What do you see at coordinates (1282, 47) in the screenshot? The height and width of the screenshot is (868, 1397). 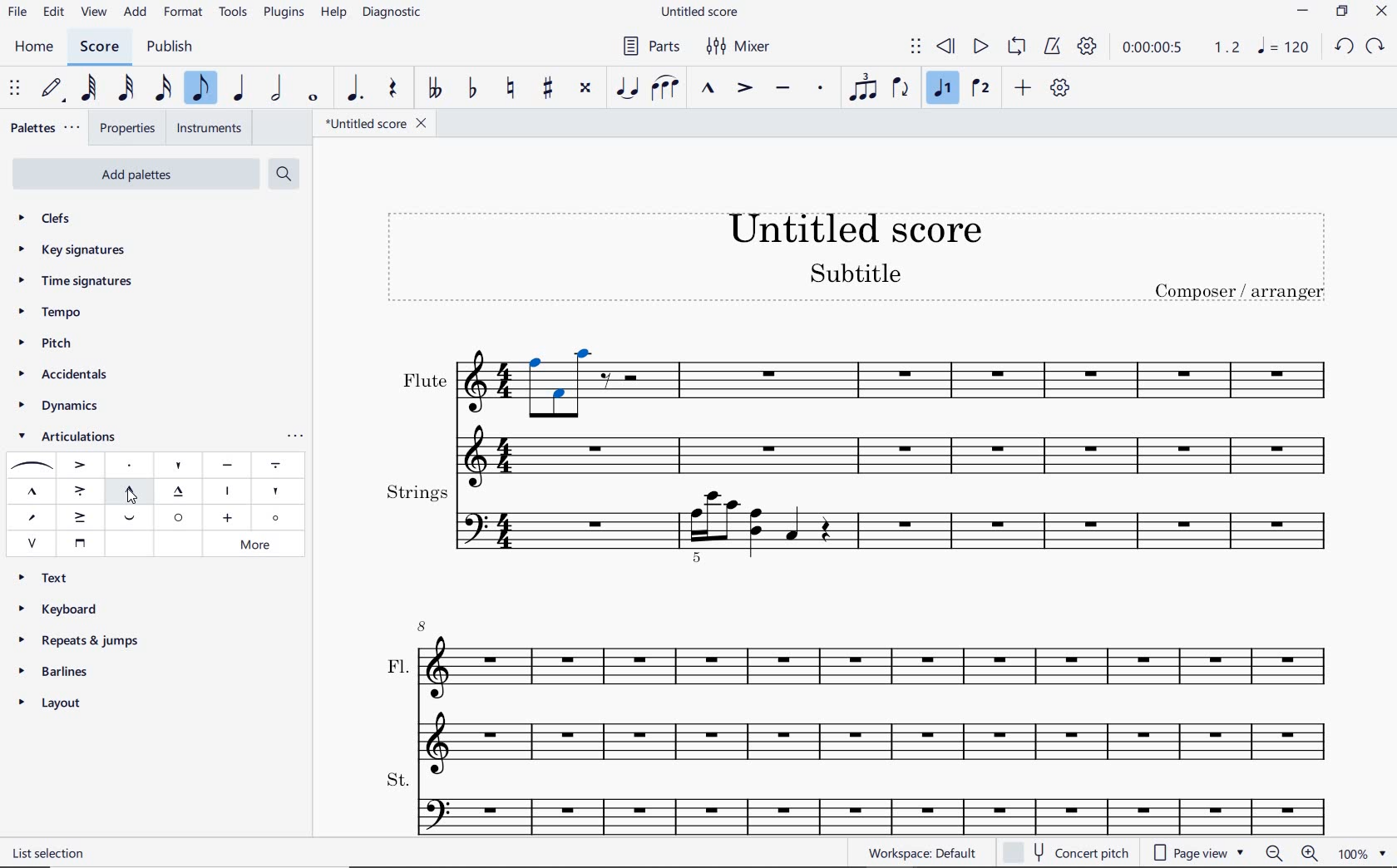 I see `note` at bounding box center [1282, 47].